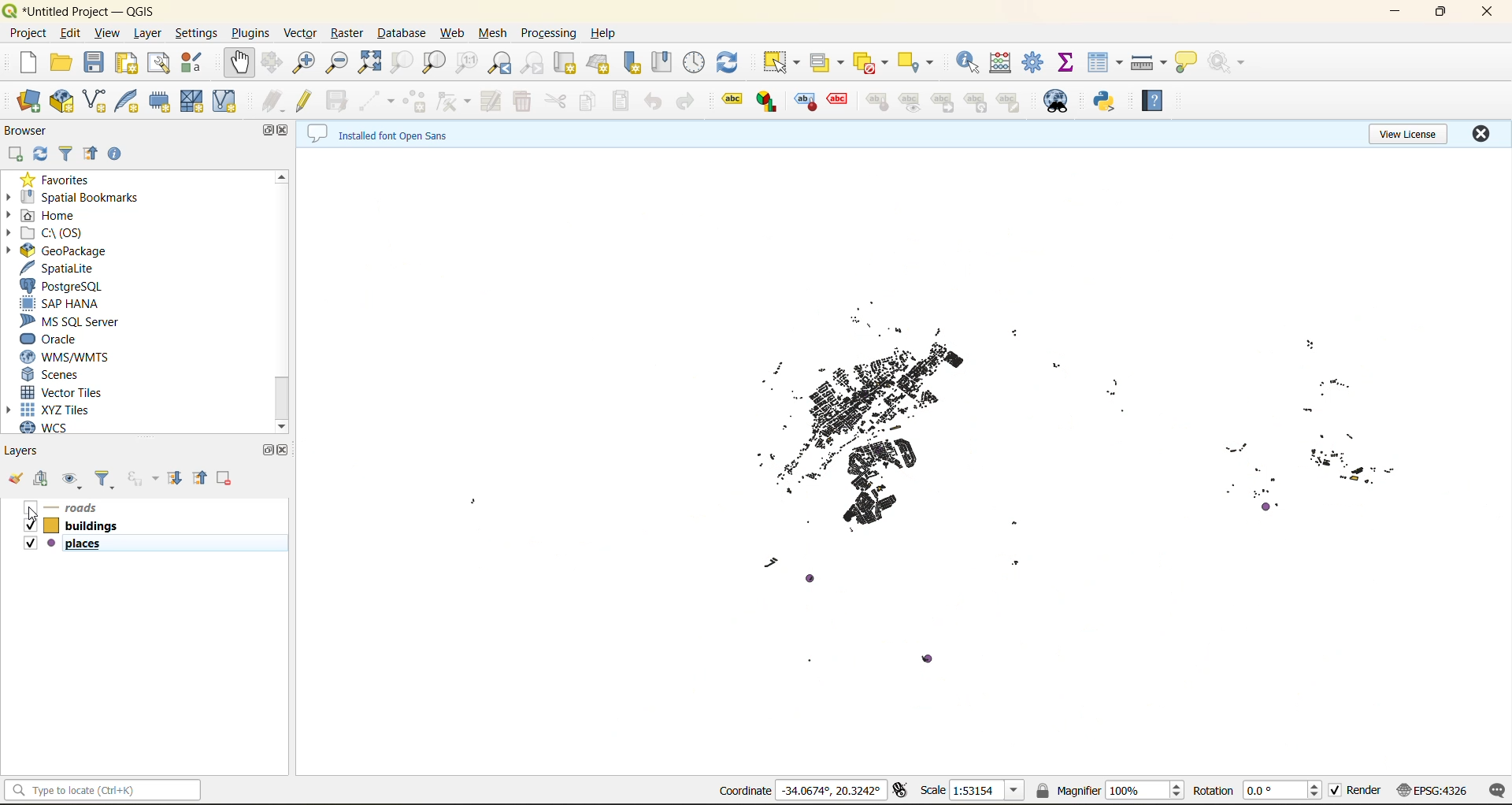  I want to click on project, so click(29, 34).